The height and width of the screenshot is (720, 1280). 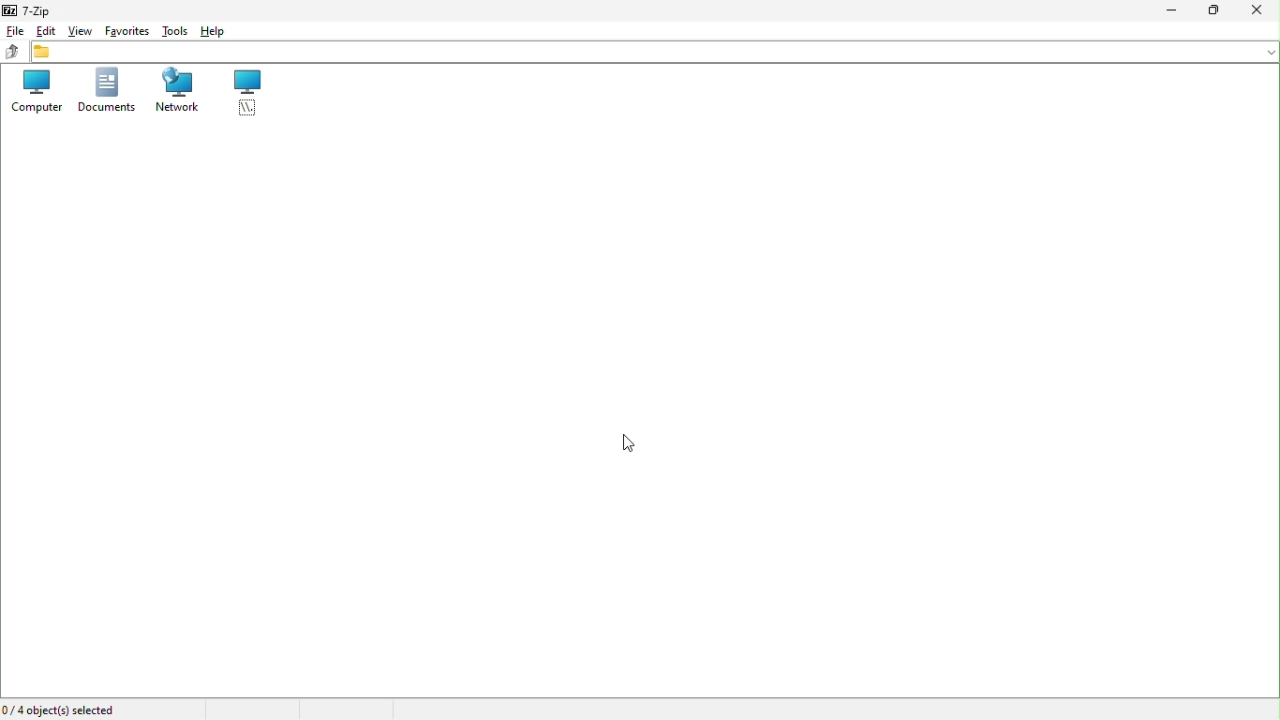 I want to click on Mouse, so click(x=627, y=445).